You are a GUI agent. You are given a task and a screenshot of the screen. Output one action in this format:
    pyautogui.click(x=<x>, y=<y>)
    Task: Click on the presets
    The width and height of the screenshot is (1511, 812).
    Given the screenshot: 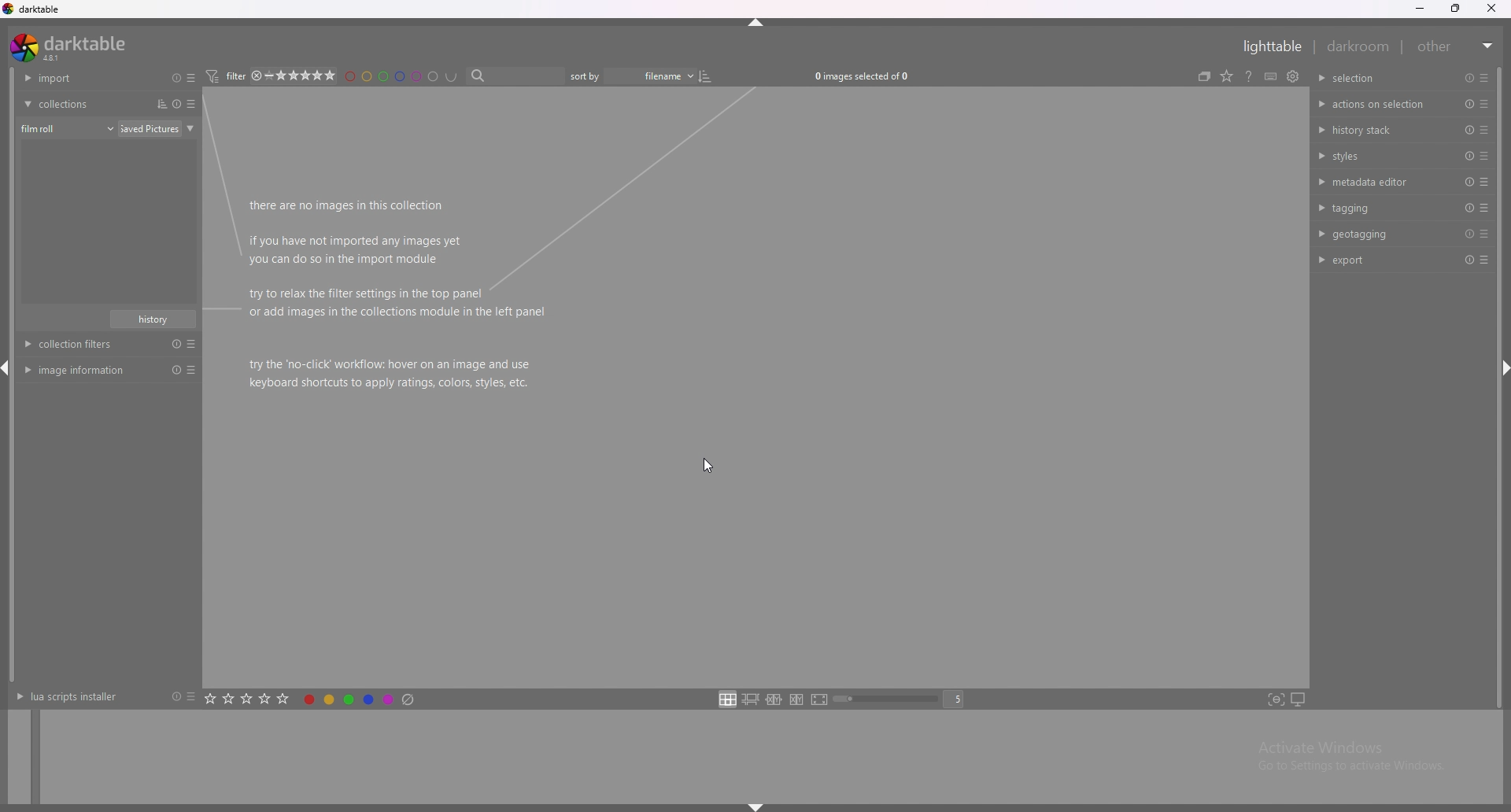 What is the action you would take?
    pyautogui.click(x=1484, y=182)
    